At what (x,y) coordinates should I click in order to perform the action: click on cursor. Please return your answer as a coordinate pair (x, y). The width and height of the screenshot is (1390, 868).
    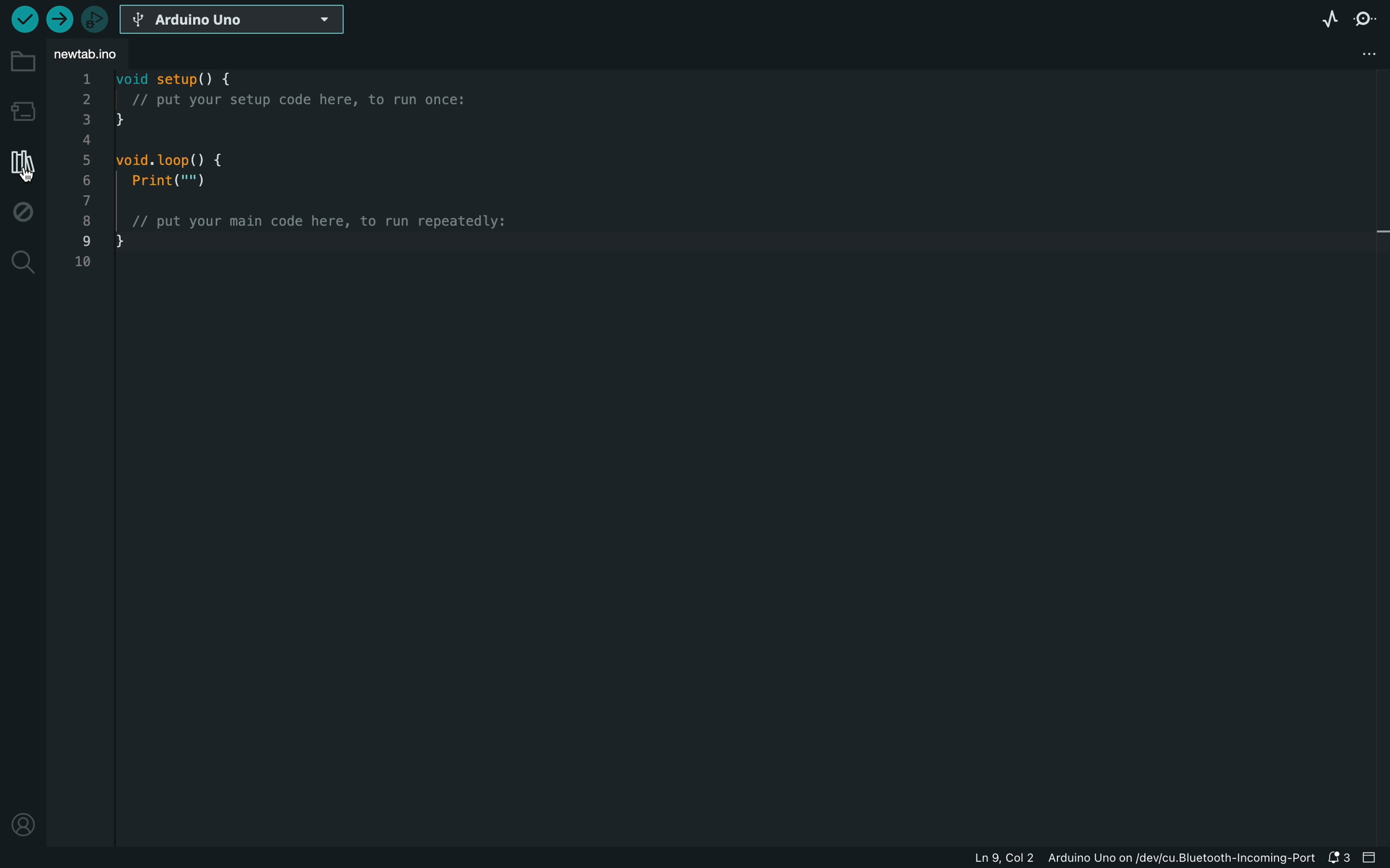
    Looking at the image, I should click on (24, 172).